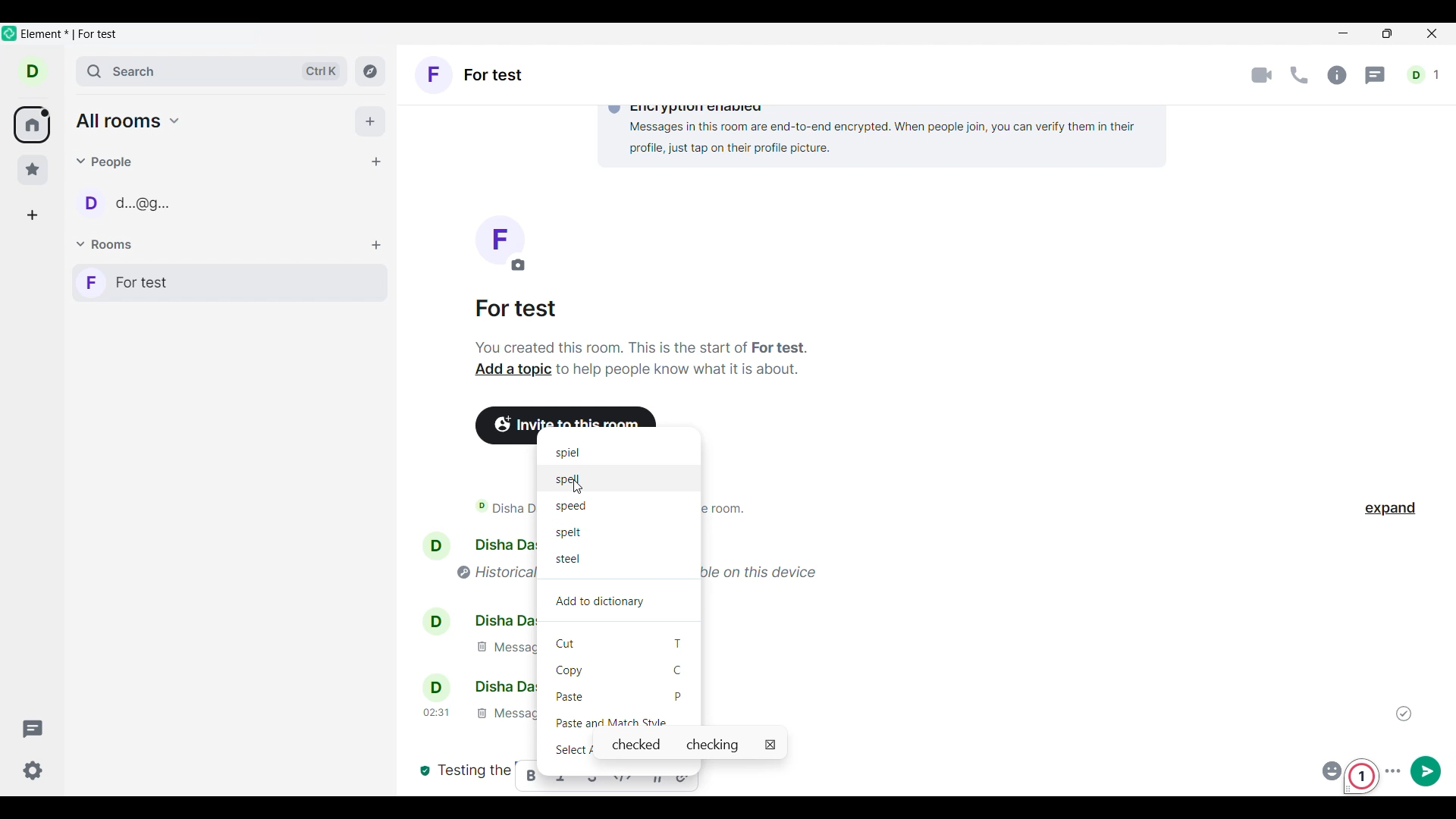 Image resolution: width=1456 pixels, height=819 pixels. Describe the element at coordinates (1337, 75) in the screenshot. I see `Room info` at that location.